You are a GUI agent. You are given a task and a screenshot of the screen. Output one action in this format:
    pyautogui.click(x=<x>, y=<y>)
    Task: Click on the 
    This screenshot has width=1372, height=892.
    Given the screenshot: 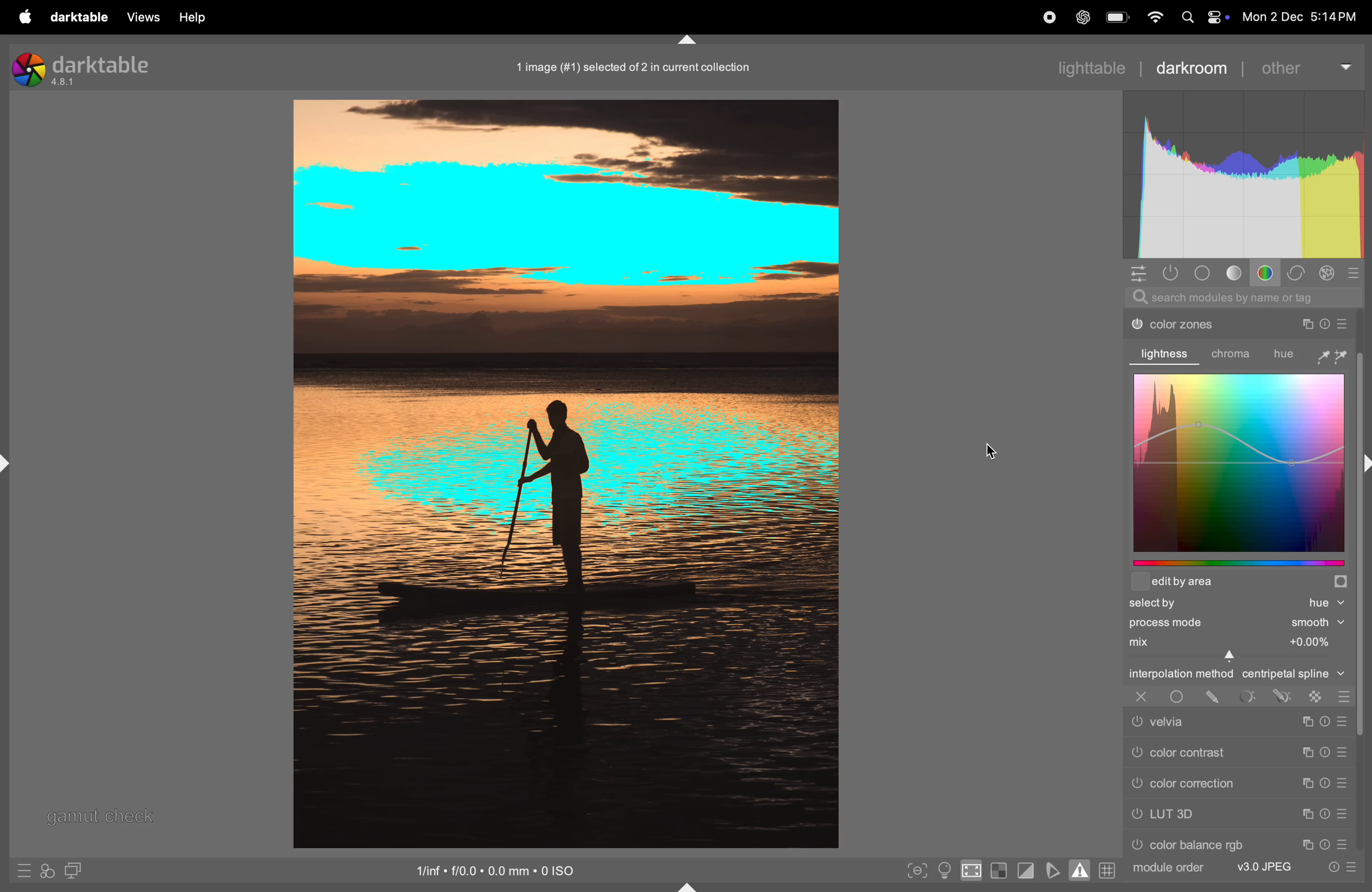 What is the action you would take?
    pyautogui.click(x=1363, y=582)
    